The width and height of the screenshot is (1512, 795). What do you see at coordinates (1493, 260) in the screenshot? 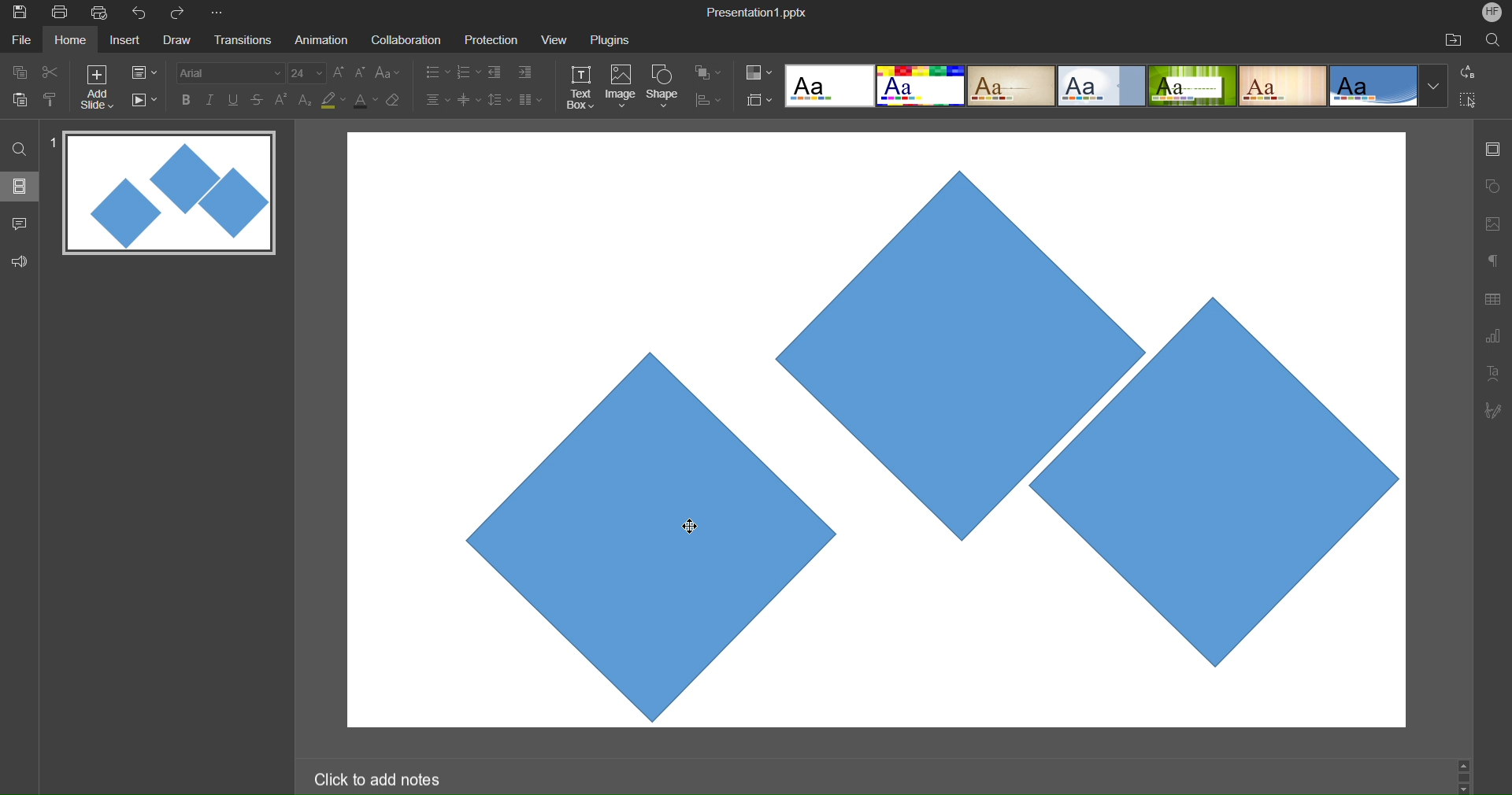
I see `Paragraph Settings` at bounding box center [1493, 260].